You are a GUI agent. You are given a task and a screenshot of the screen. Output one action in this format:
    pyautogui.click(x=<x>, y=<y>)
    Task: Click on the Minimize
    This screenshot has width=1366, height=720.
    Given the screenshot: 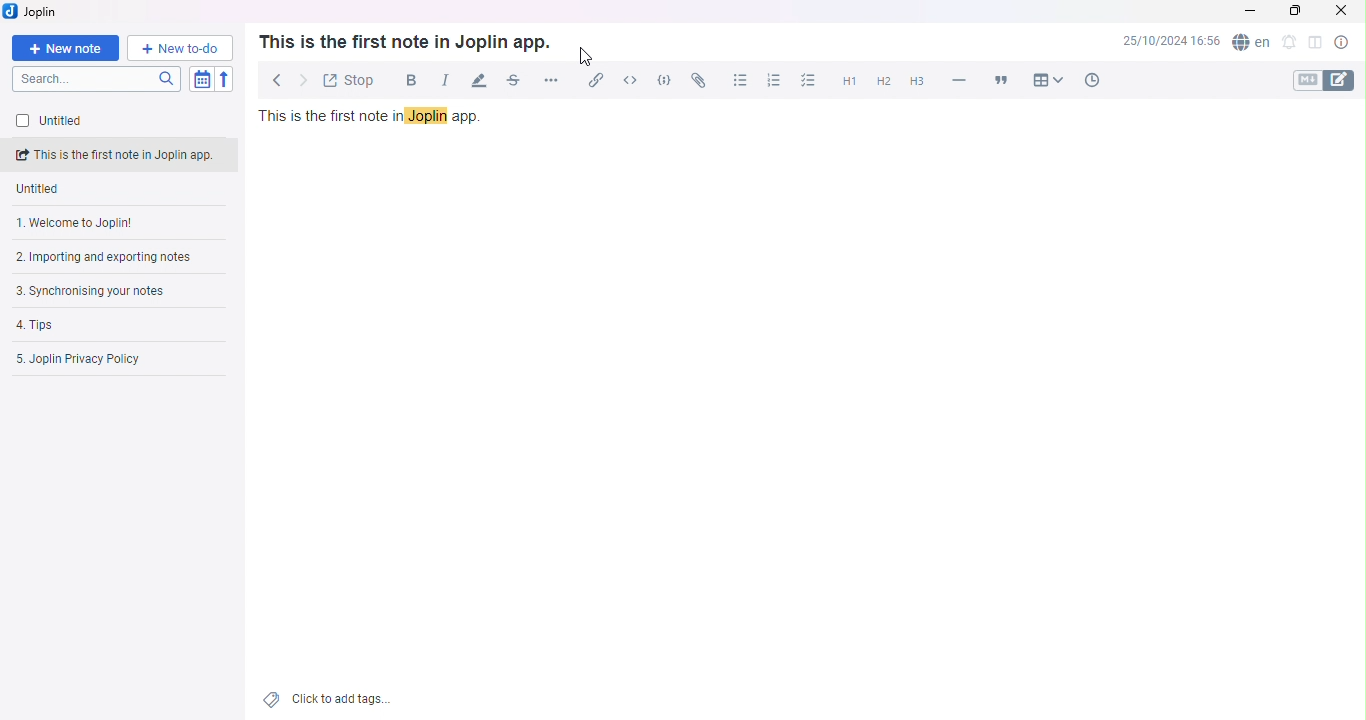 What is the action you would take?
    pyautogui.click(x=1252, y=12)
    